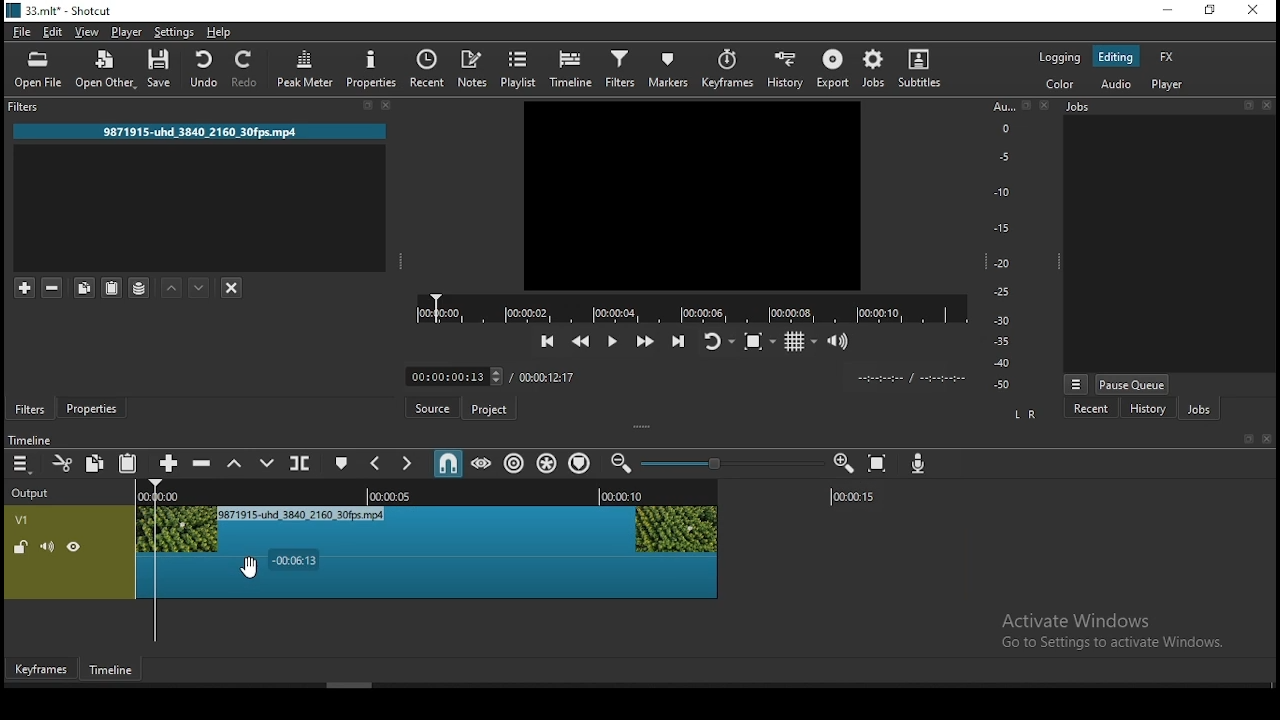 Image resolution: width=1280 pixels, height=720 pixels. Describe the element at coordinates (867, 542) in the screenshot. I see `video track` at that location.